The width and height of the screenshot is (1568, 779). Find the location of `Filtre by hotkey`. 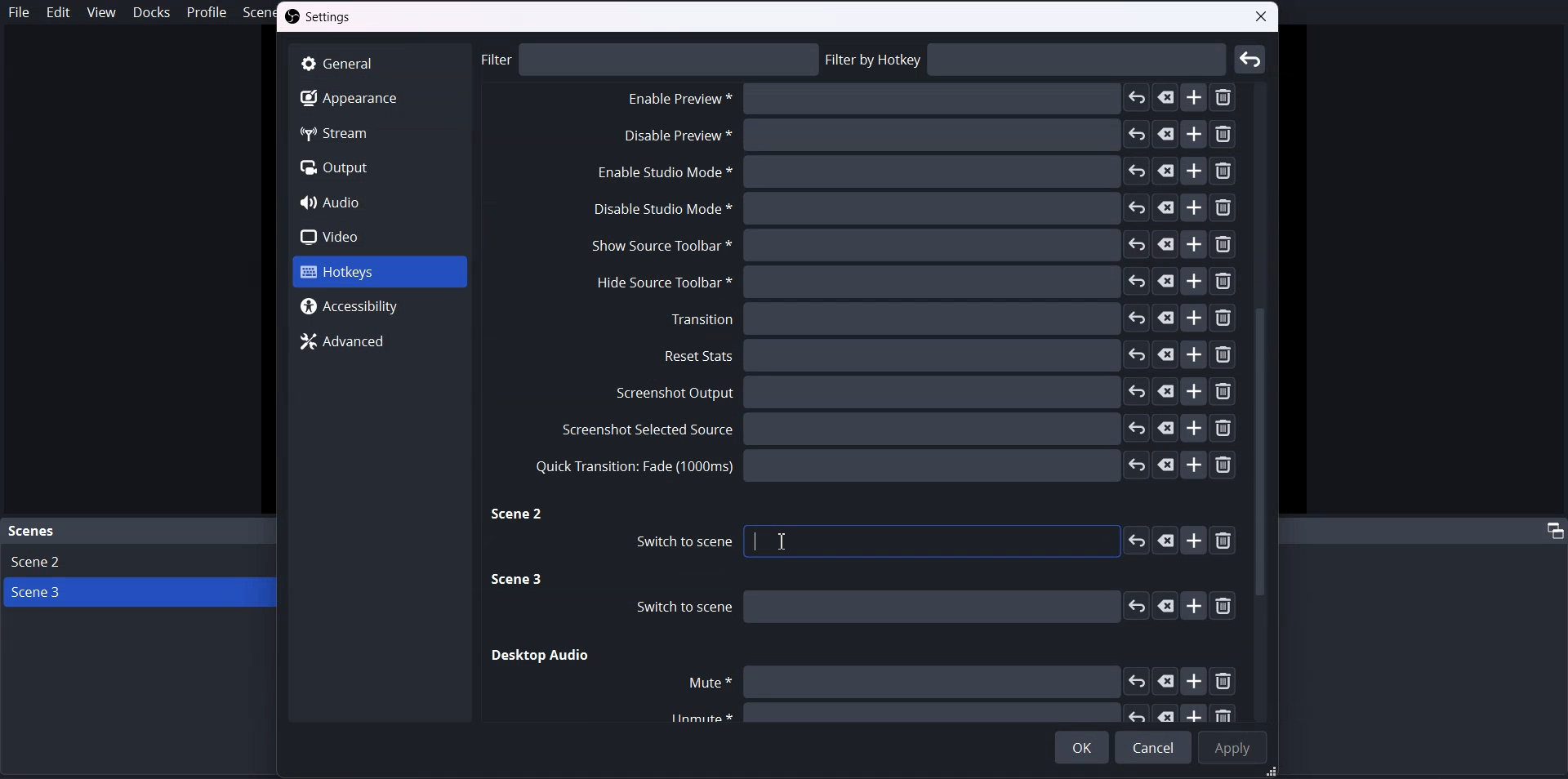

Filtre by hotkey is located at coordinates (1027, 60).